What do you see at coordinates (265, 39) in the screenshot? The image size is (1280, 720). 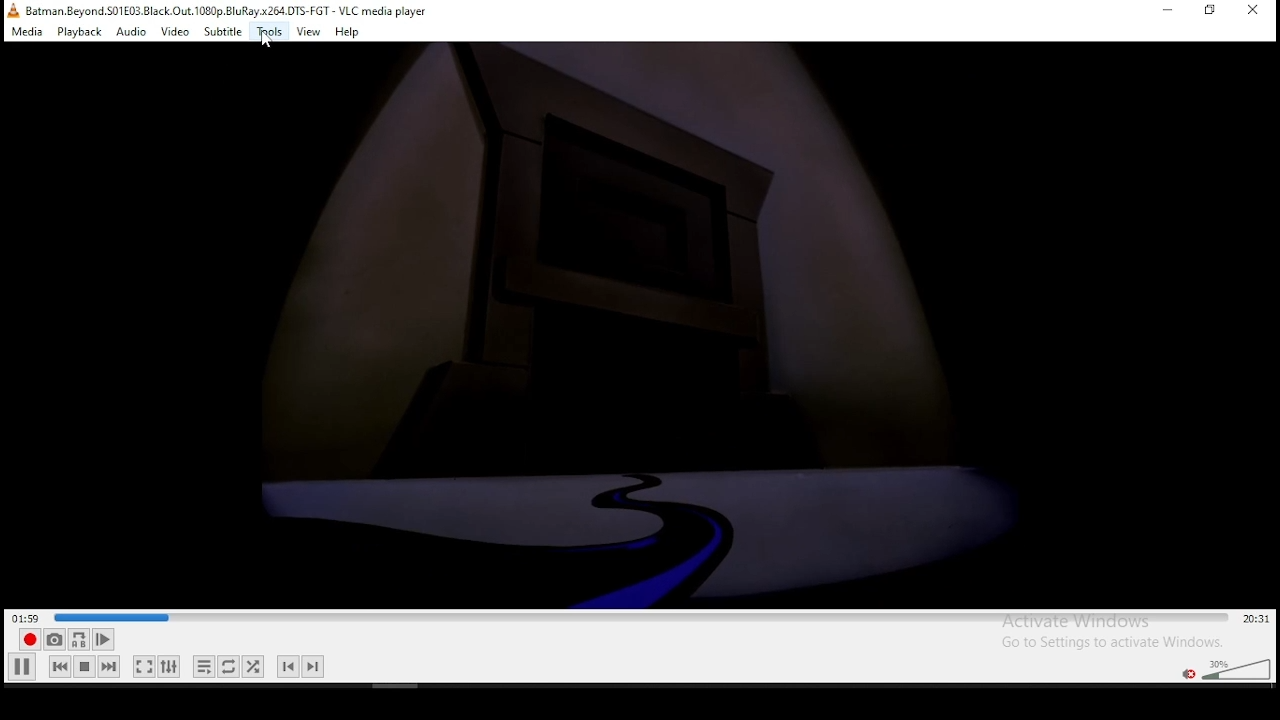 I see `Cursor` at bounding box center [265, 39].